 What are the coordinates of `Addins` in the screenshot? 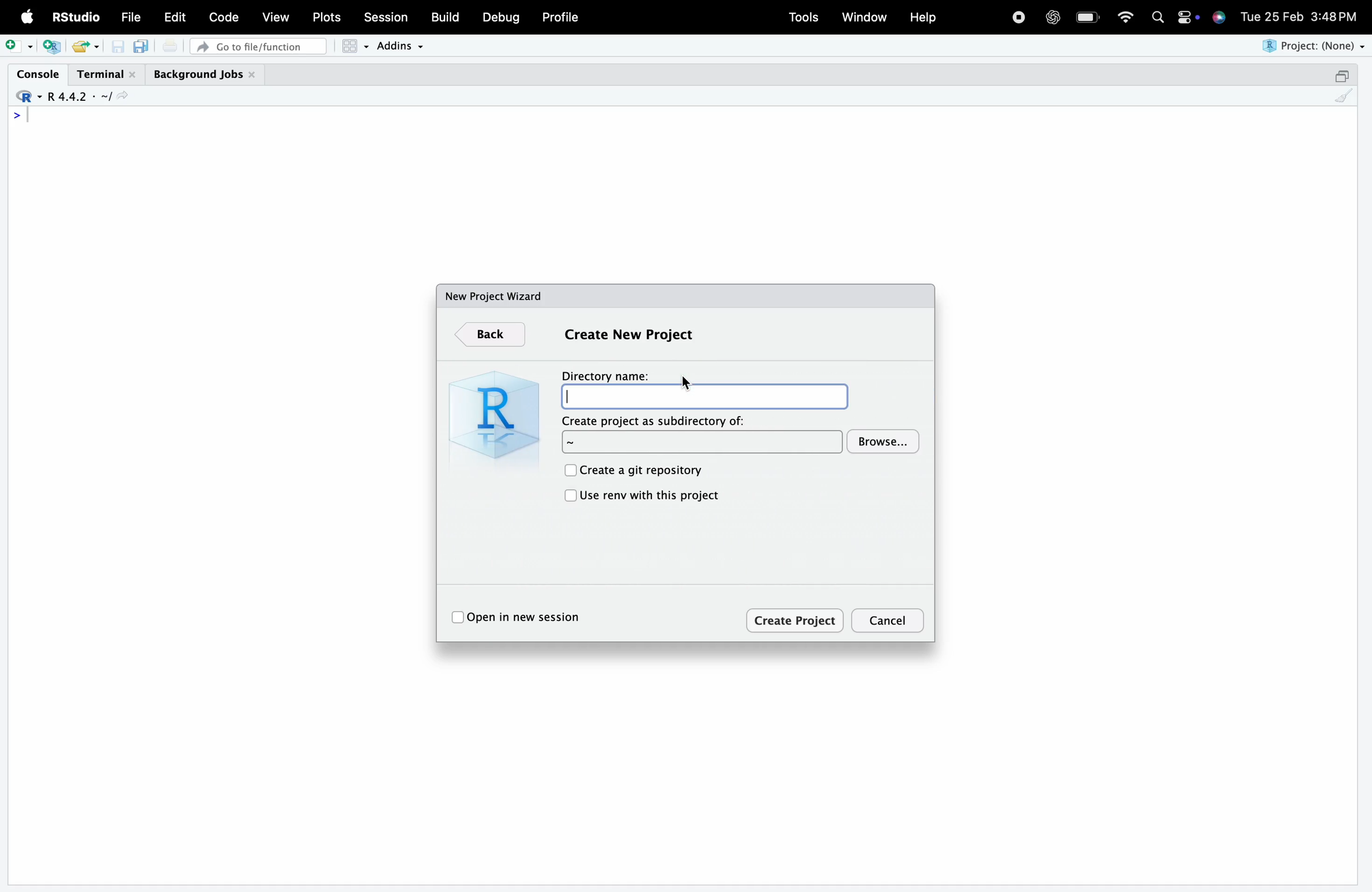 It's located at (399, 46).